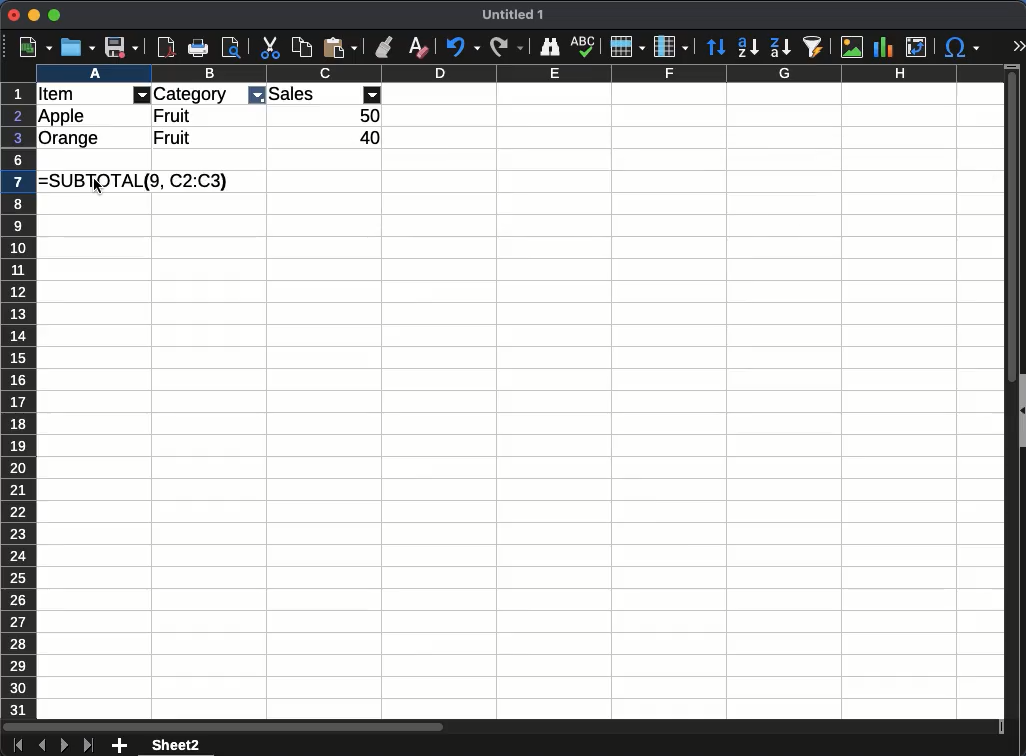 The height and width of the screenshot is (756, 1026). What do you see at coordinates (192, 94) in the screenshot?
I see `Category` at bounding box center [192, 94].